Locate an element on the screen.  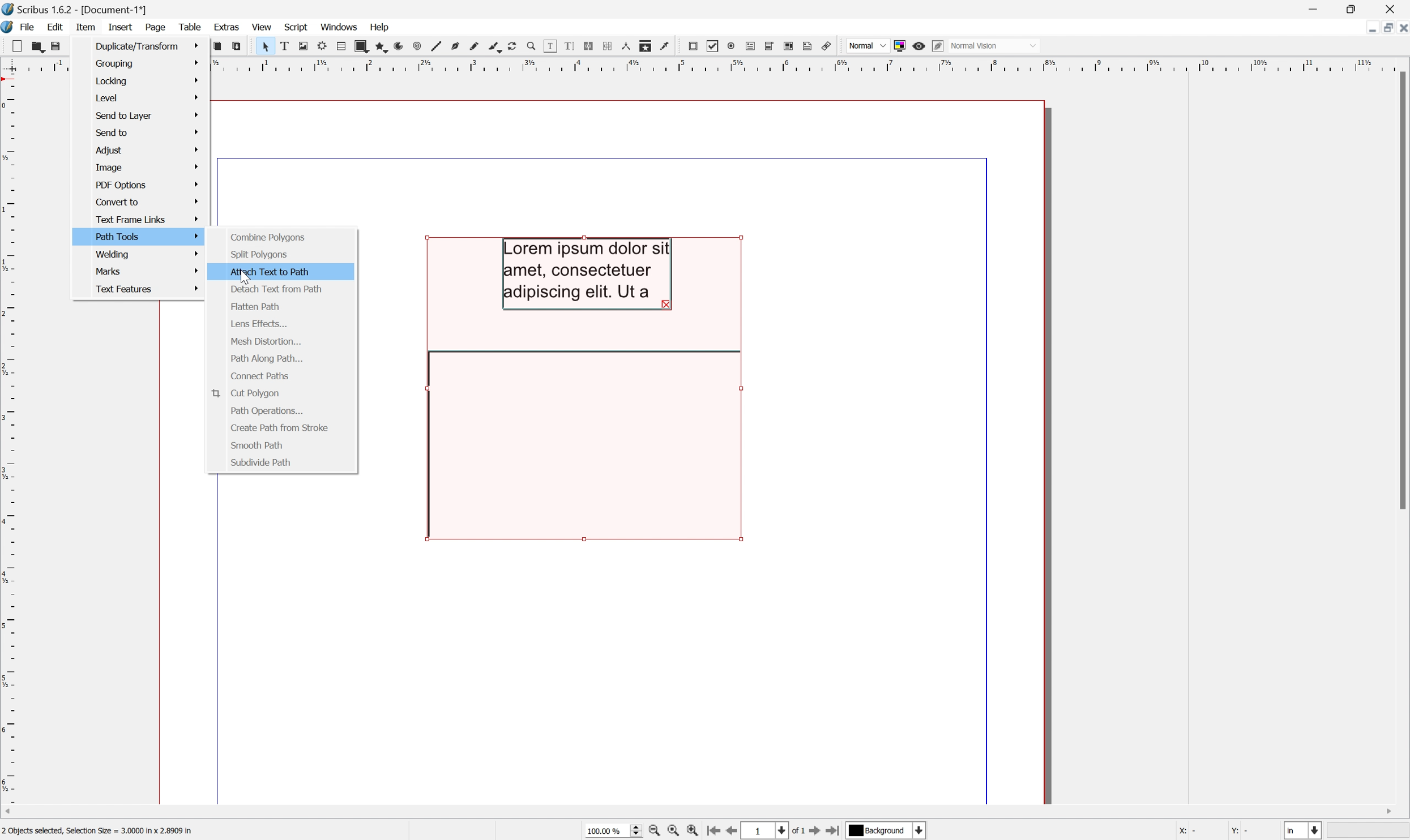
Cursor is located at coordinates (249, 276).